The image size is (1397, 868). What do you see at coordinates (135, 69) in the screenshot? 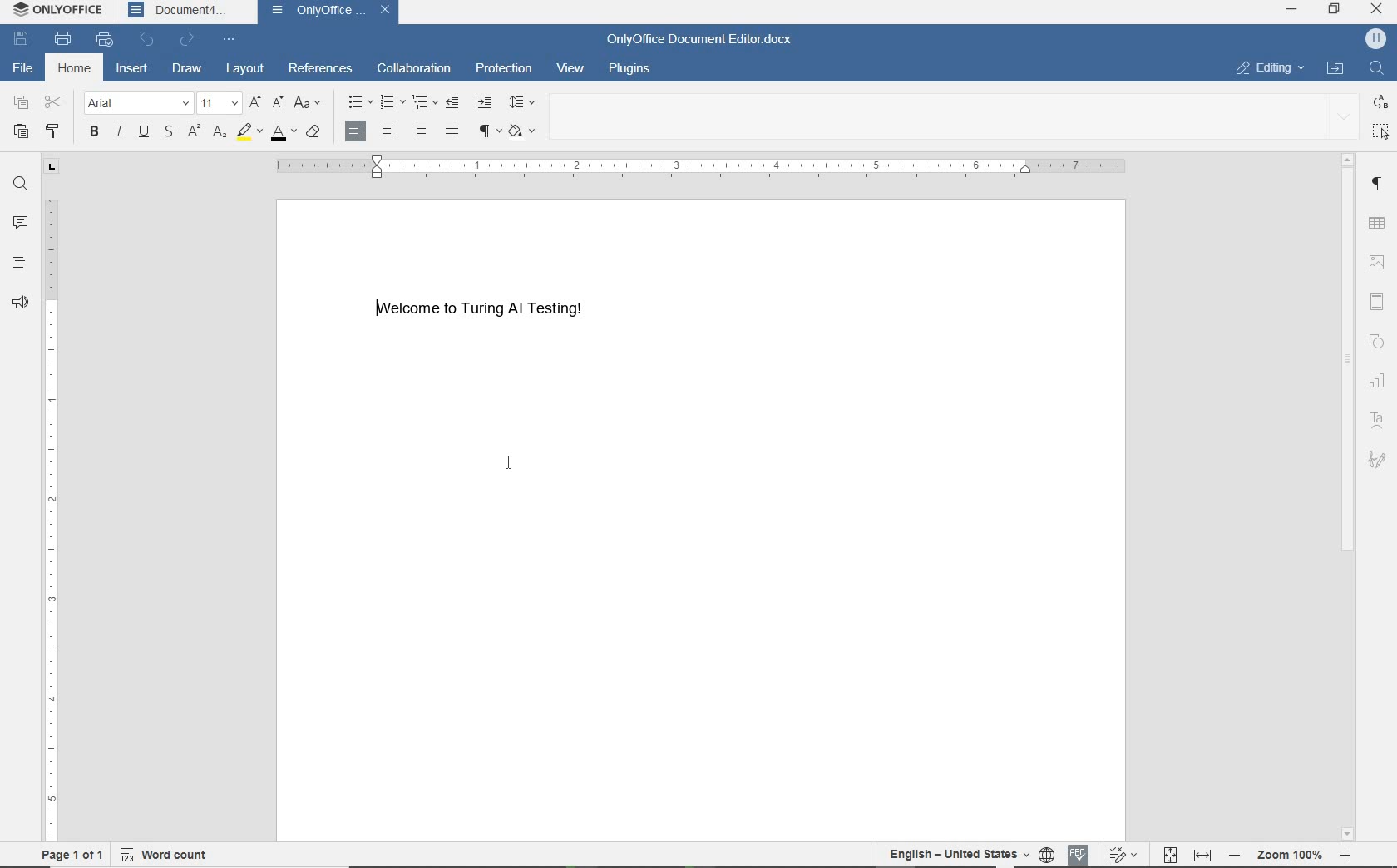
I see `insert` at bounding box center [135, 69].